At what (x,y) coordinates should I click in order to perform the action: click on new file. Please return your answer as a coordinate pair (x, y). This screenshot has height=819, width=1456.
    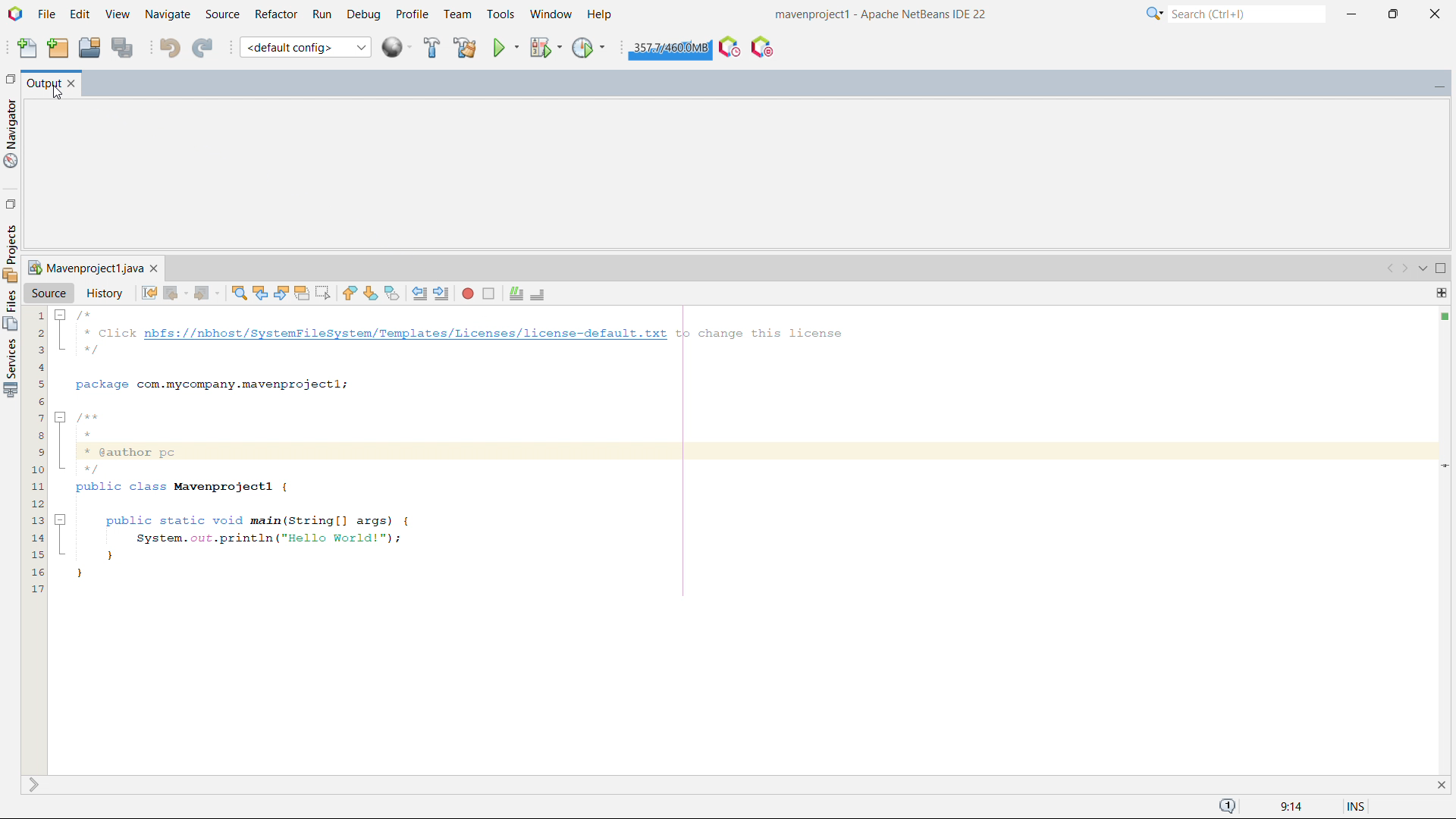
    Looking at the image, I should click on (28, 46).